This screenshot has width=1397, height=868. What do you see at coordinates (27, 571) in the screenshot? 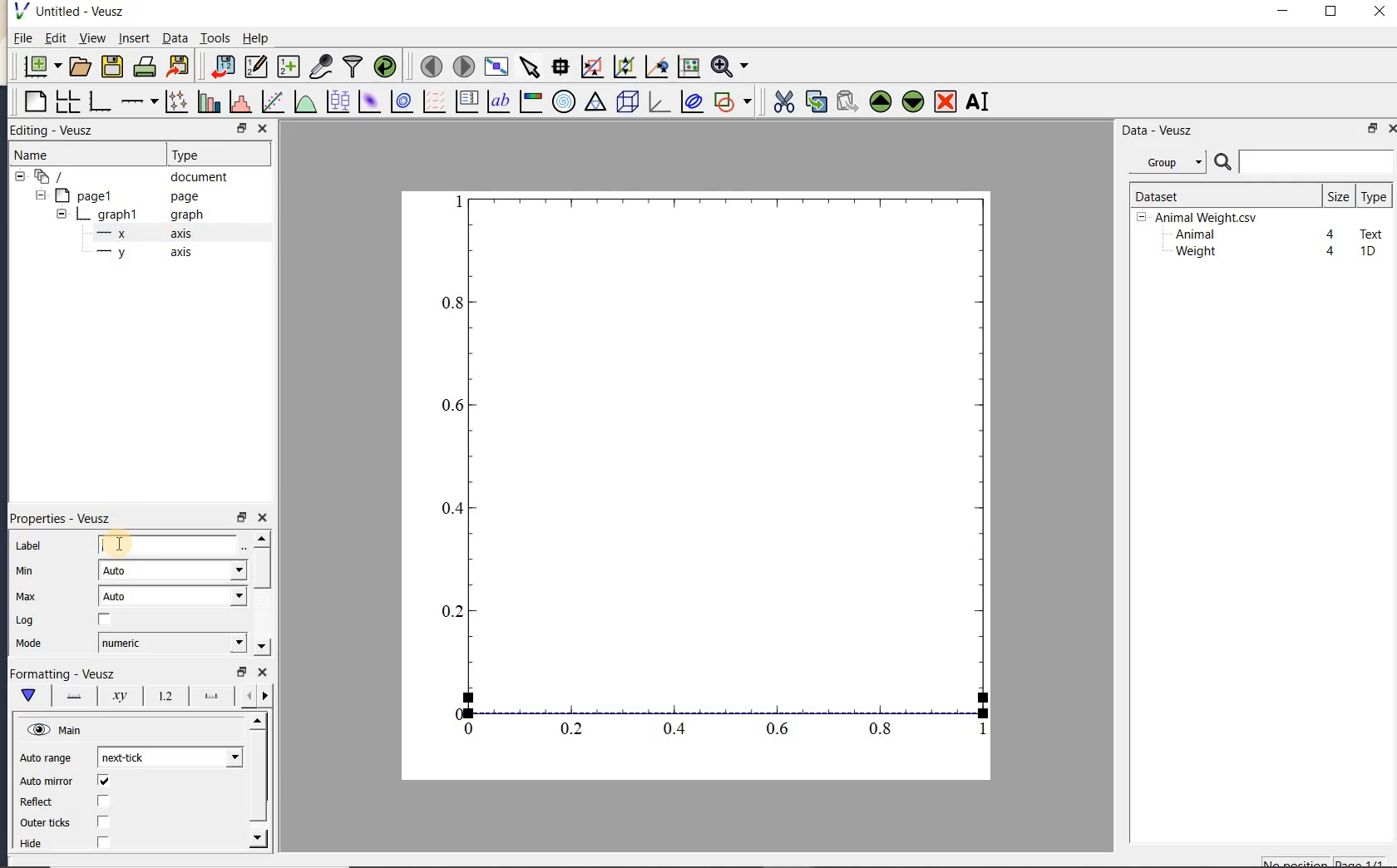
I see `Min` at bounding box center [27, 571].